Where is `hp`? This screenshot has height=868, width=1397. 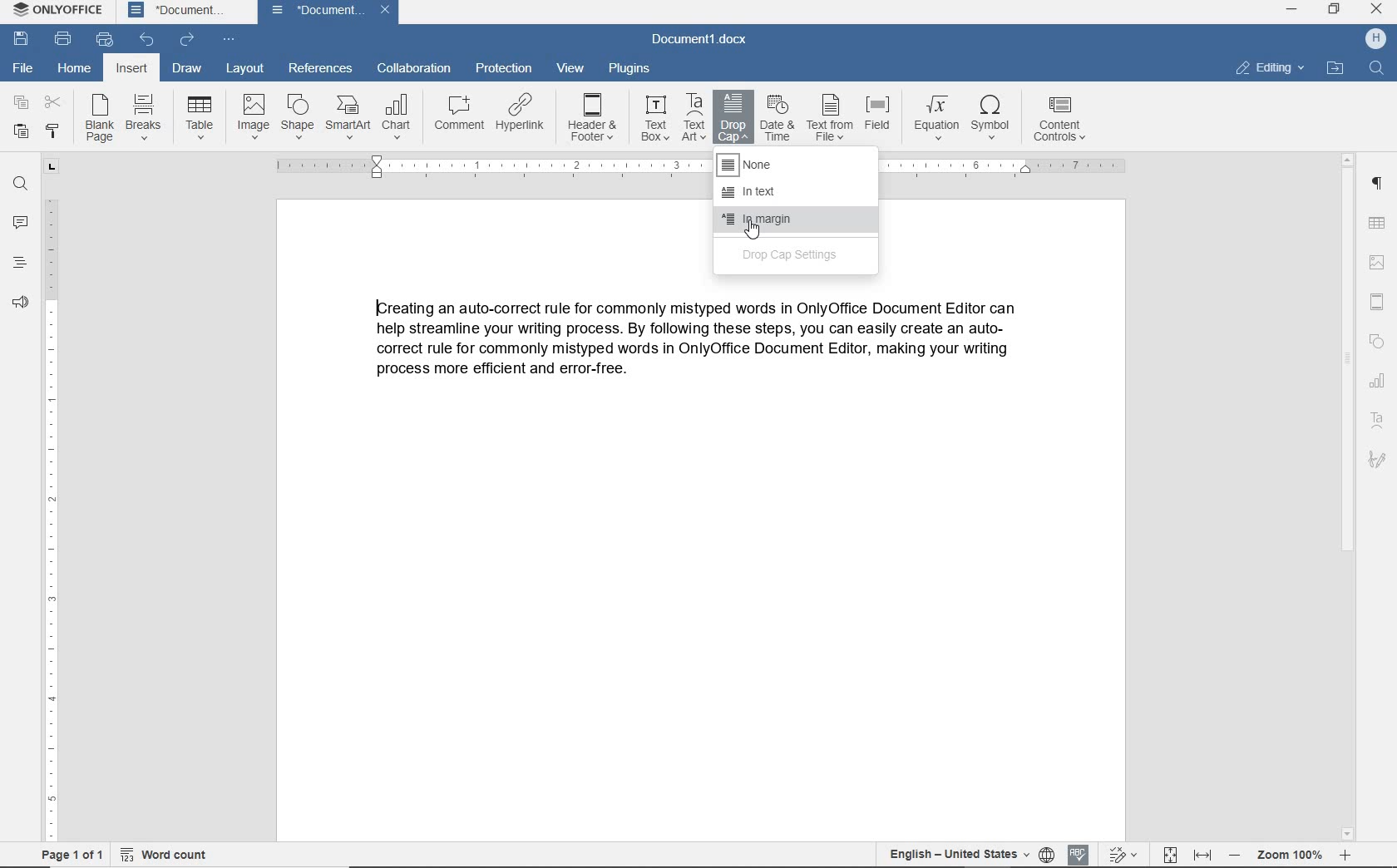 hp is located at coordinates (1375, 39).